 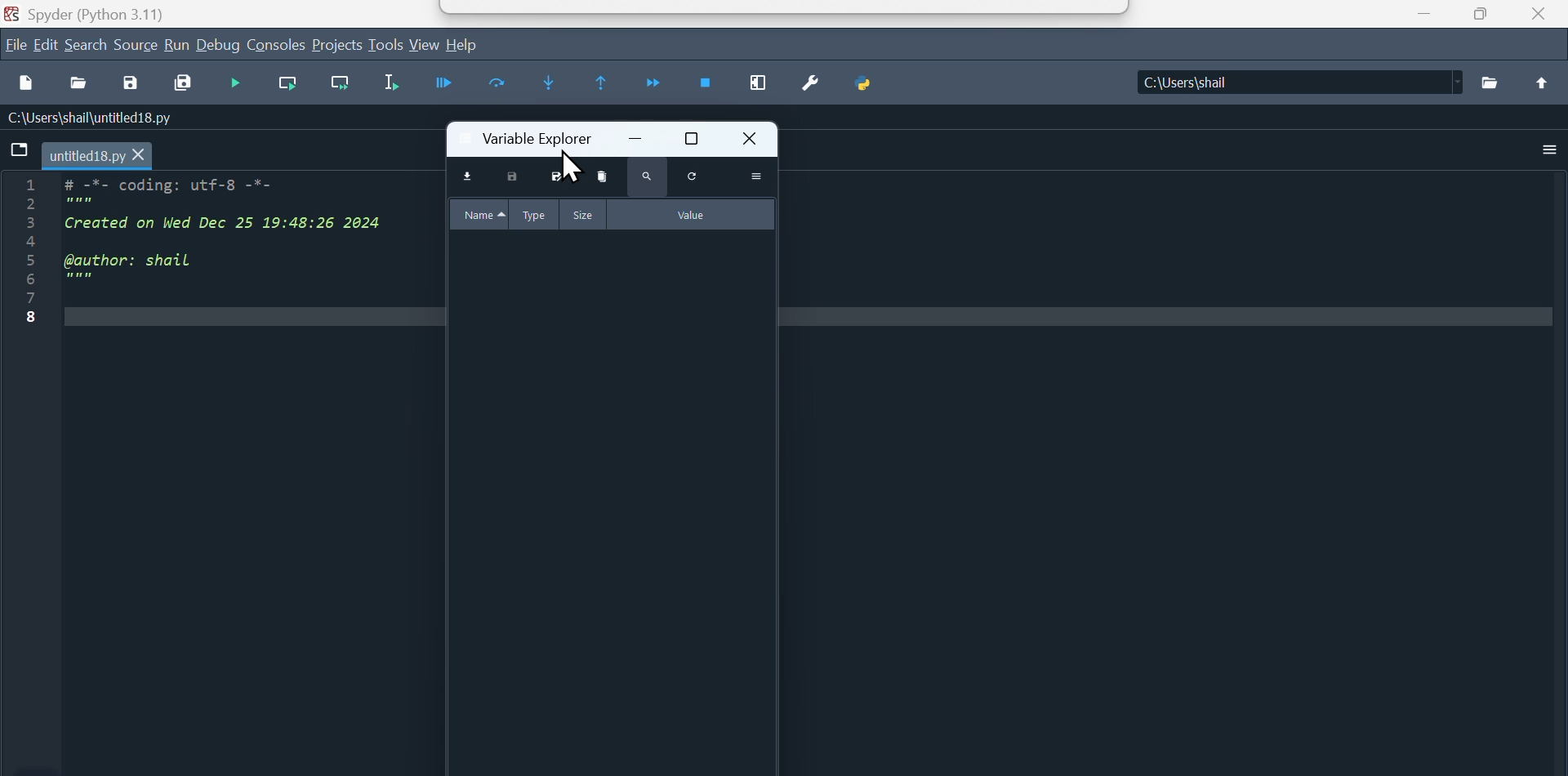 I want to click on Save all, so click(x=184, y=84).